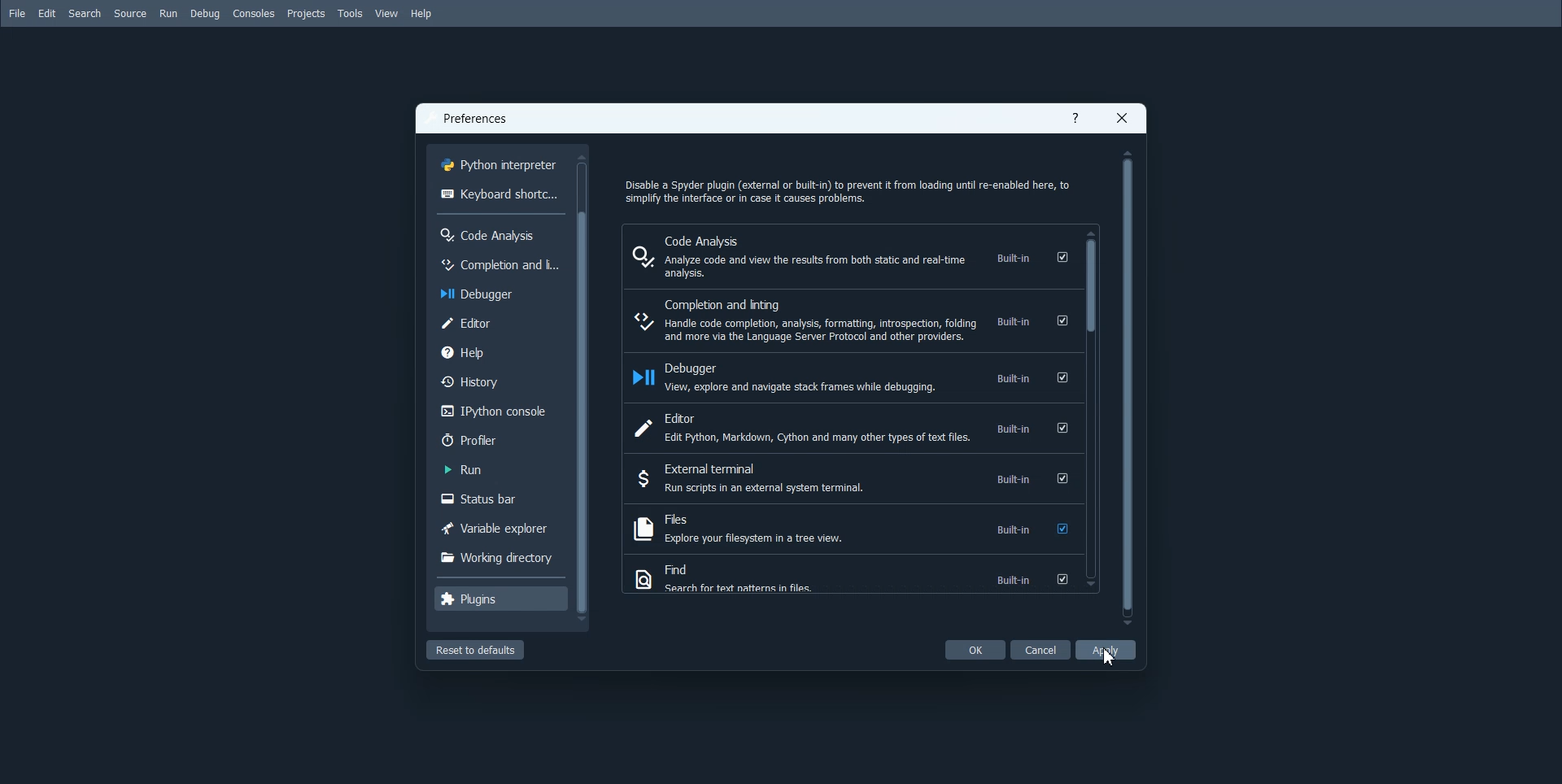 This screenshot has width=1562, height=784. I want to click on Search, so click(85, 14).